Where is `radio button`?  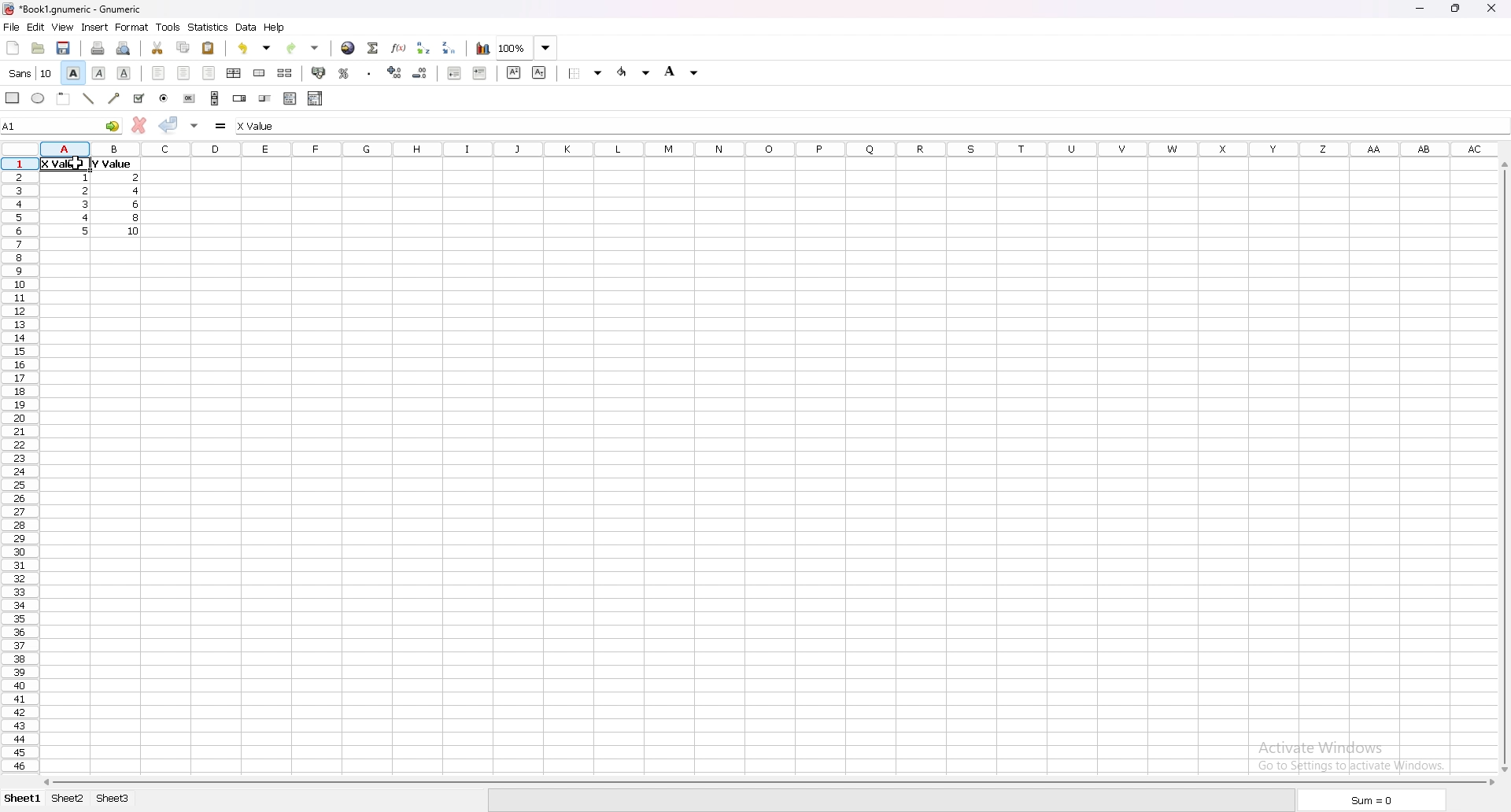 radio button is located at coordinates (164, 98).